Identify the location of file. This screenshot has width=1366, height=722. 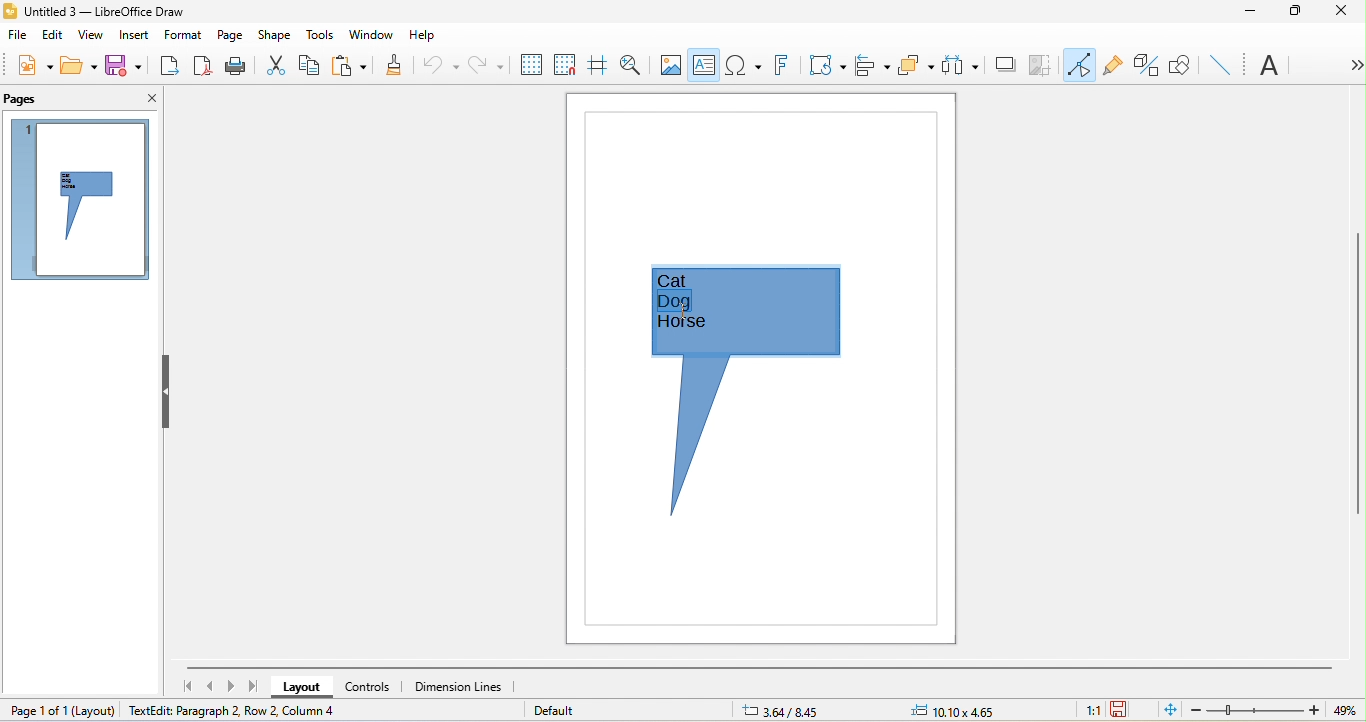
(18, 38).